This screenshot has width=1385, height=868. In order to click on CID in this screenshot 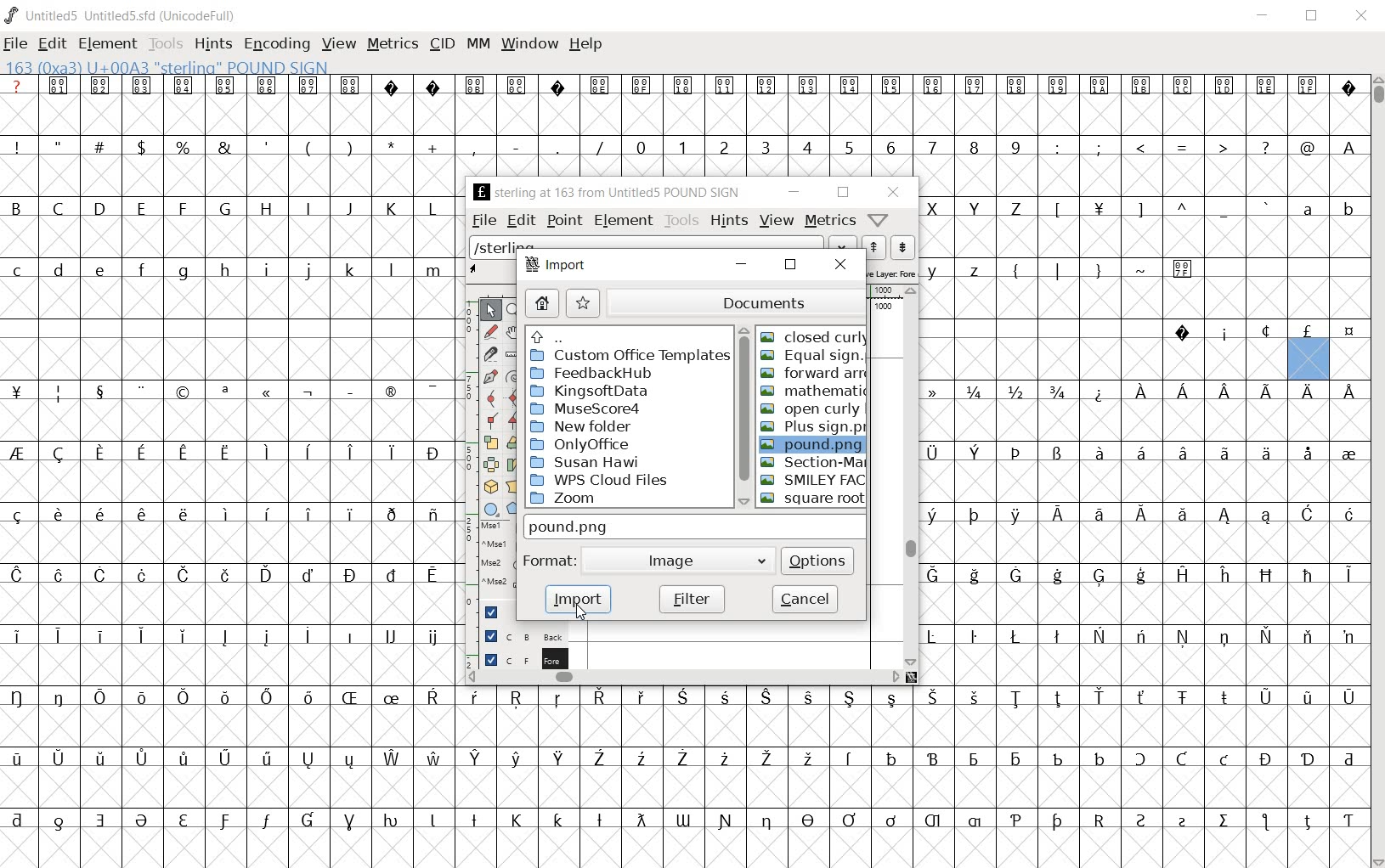, I will do `click(442, 45)`.